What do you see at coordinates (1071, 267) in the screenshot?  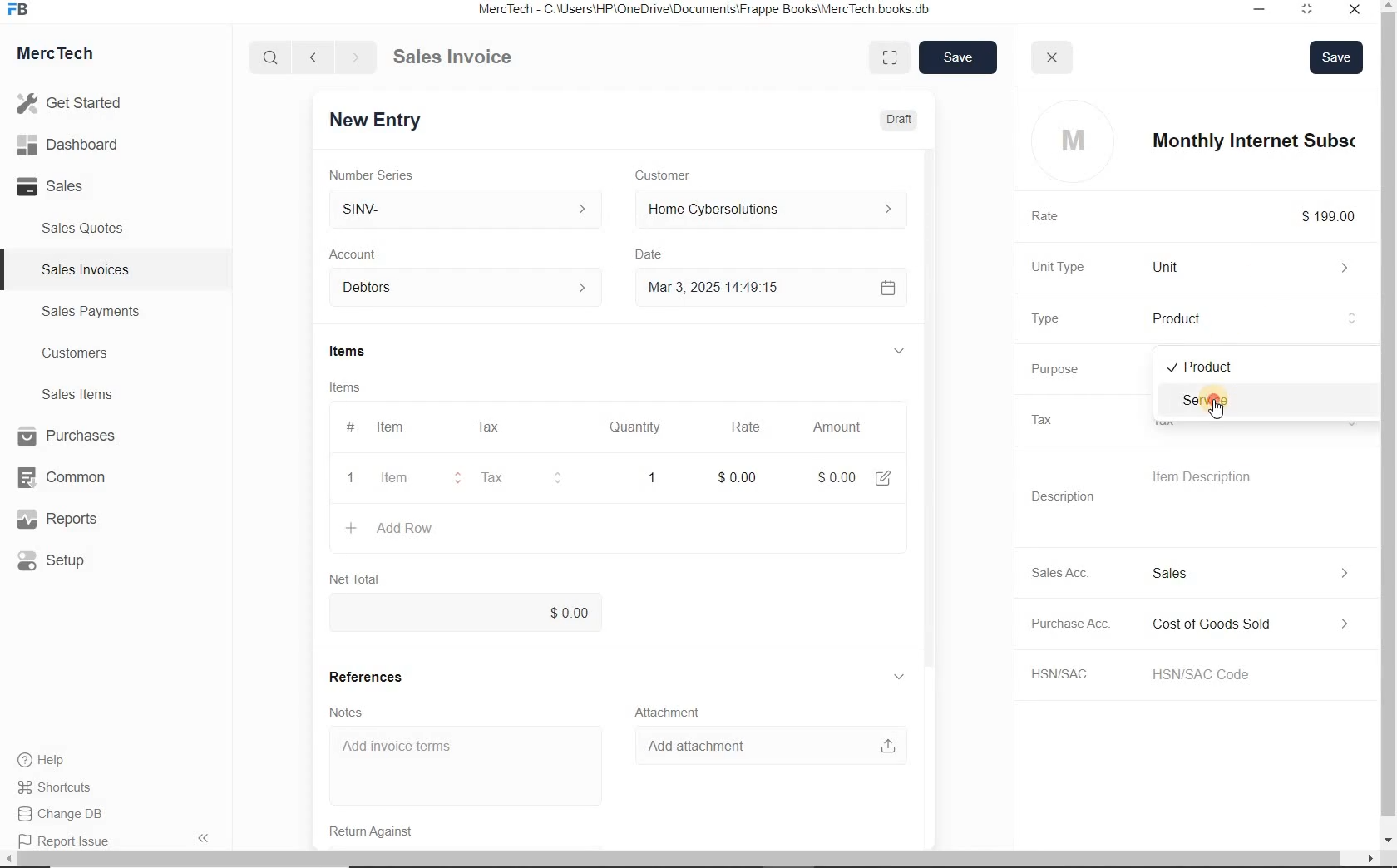 I see `Unit Type` at bounding box center [1071, 267].